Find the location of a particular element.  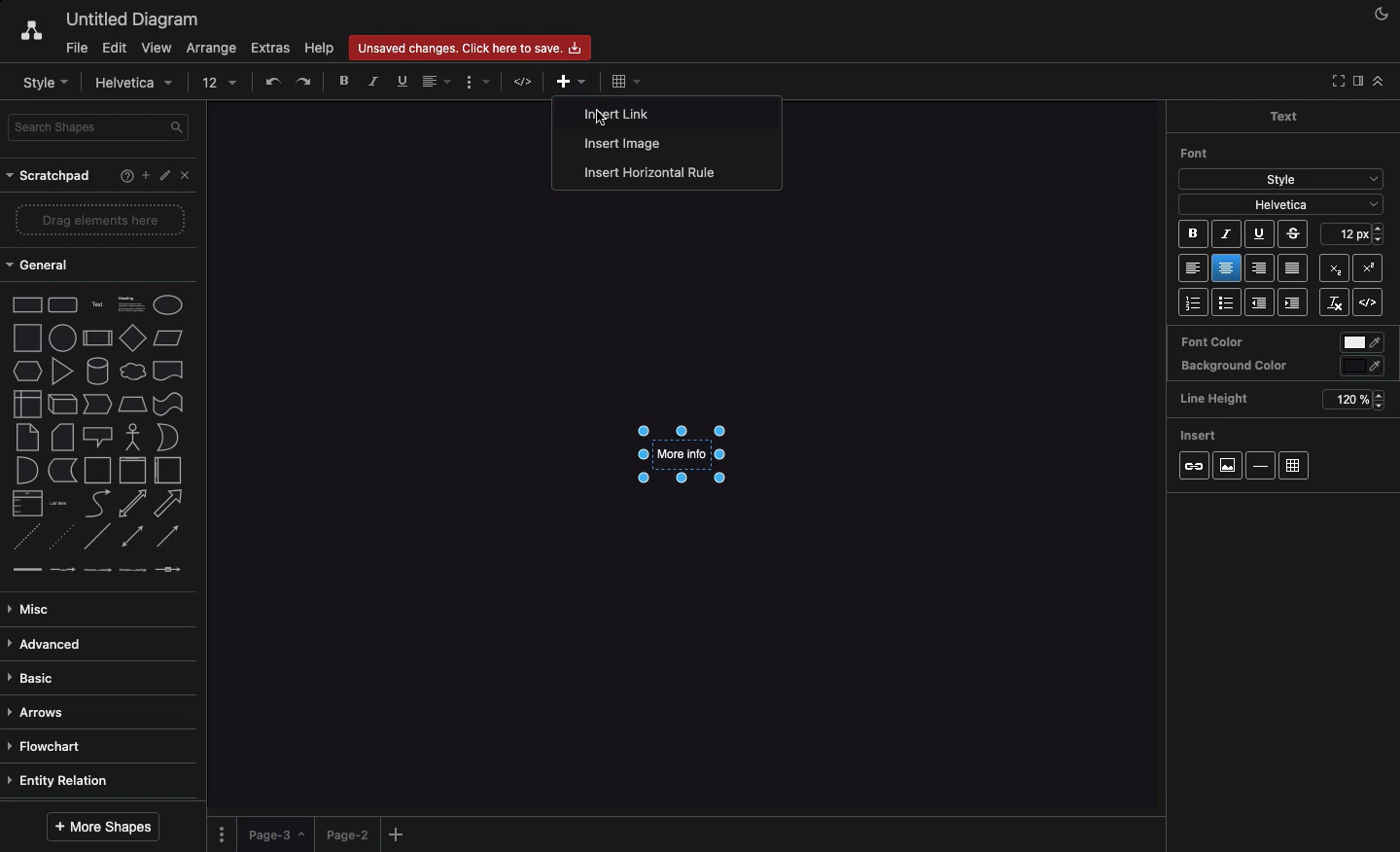

Underline is located at coordinates (401, 81).